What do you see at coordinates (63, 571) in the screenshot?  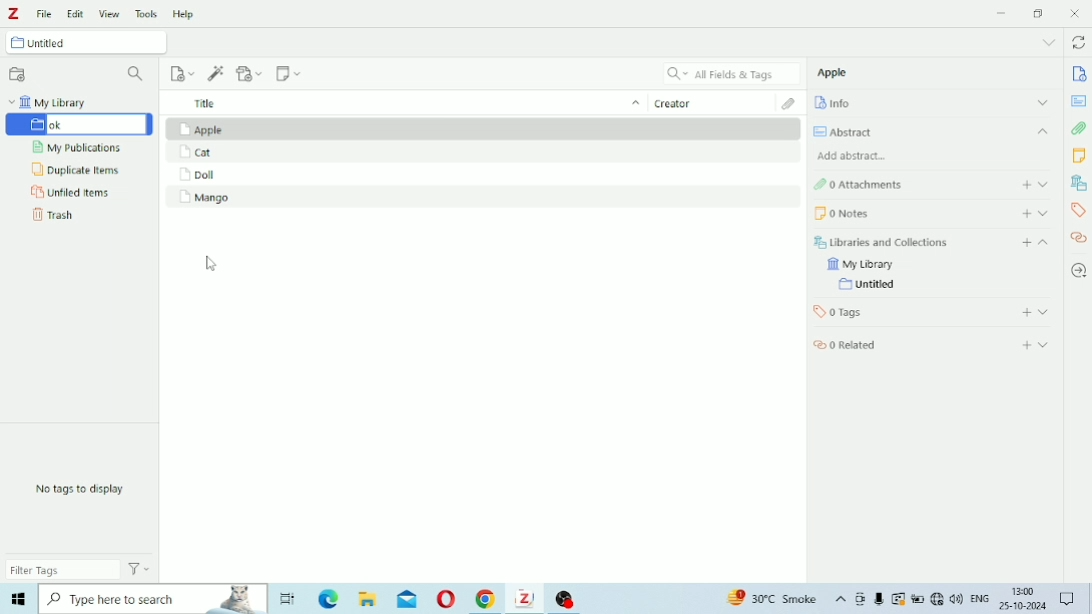 I see `Filter Tags` at bounding box center [63, 571].